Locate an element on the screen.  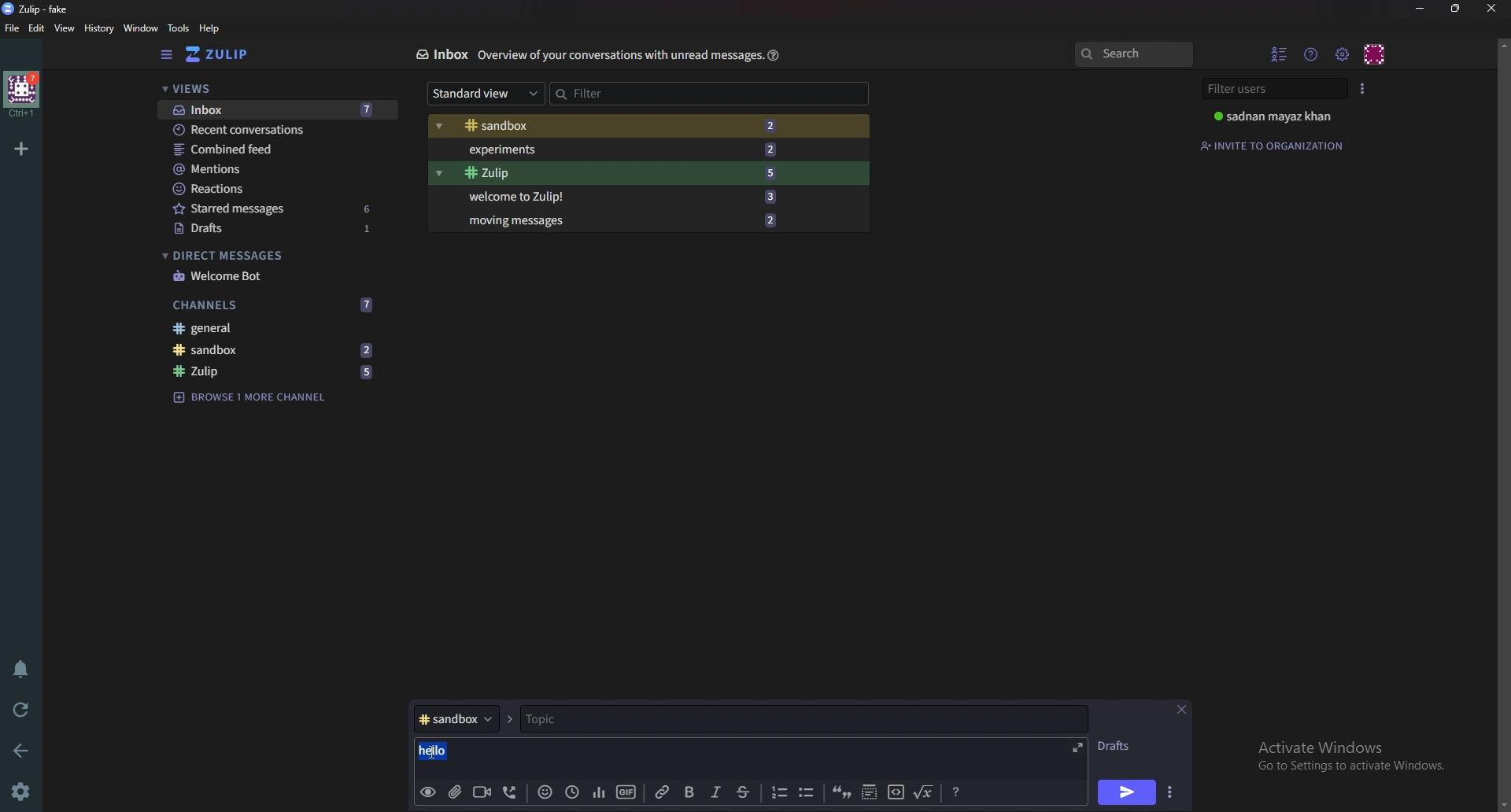
Mentions is located at coordinates (272, 169).